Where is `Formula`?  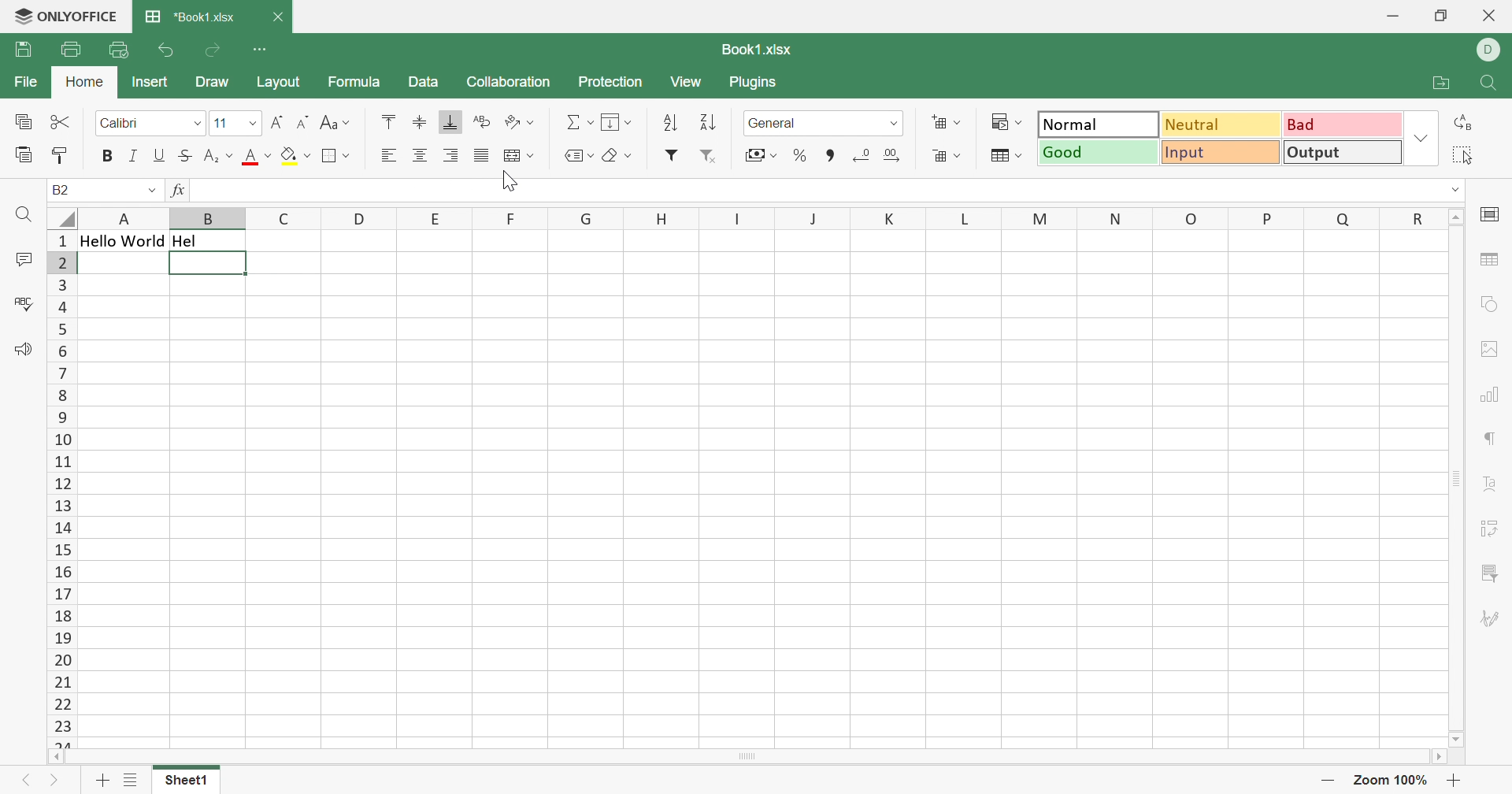
Formula is located at coordinates (352, 83).